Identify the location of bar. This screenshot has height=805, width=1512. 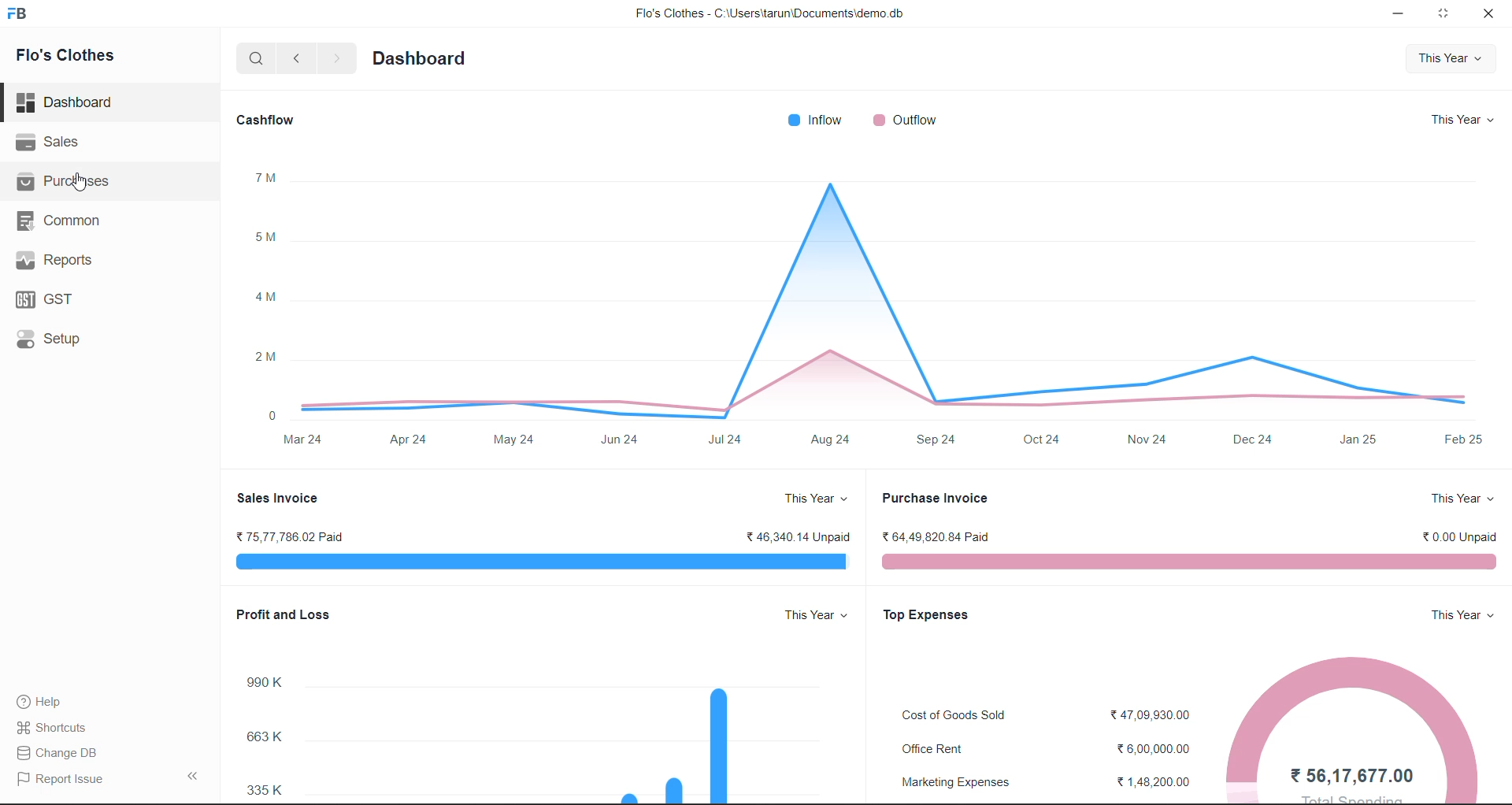
(542, 560).